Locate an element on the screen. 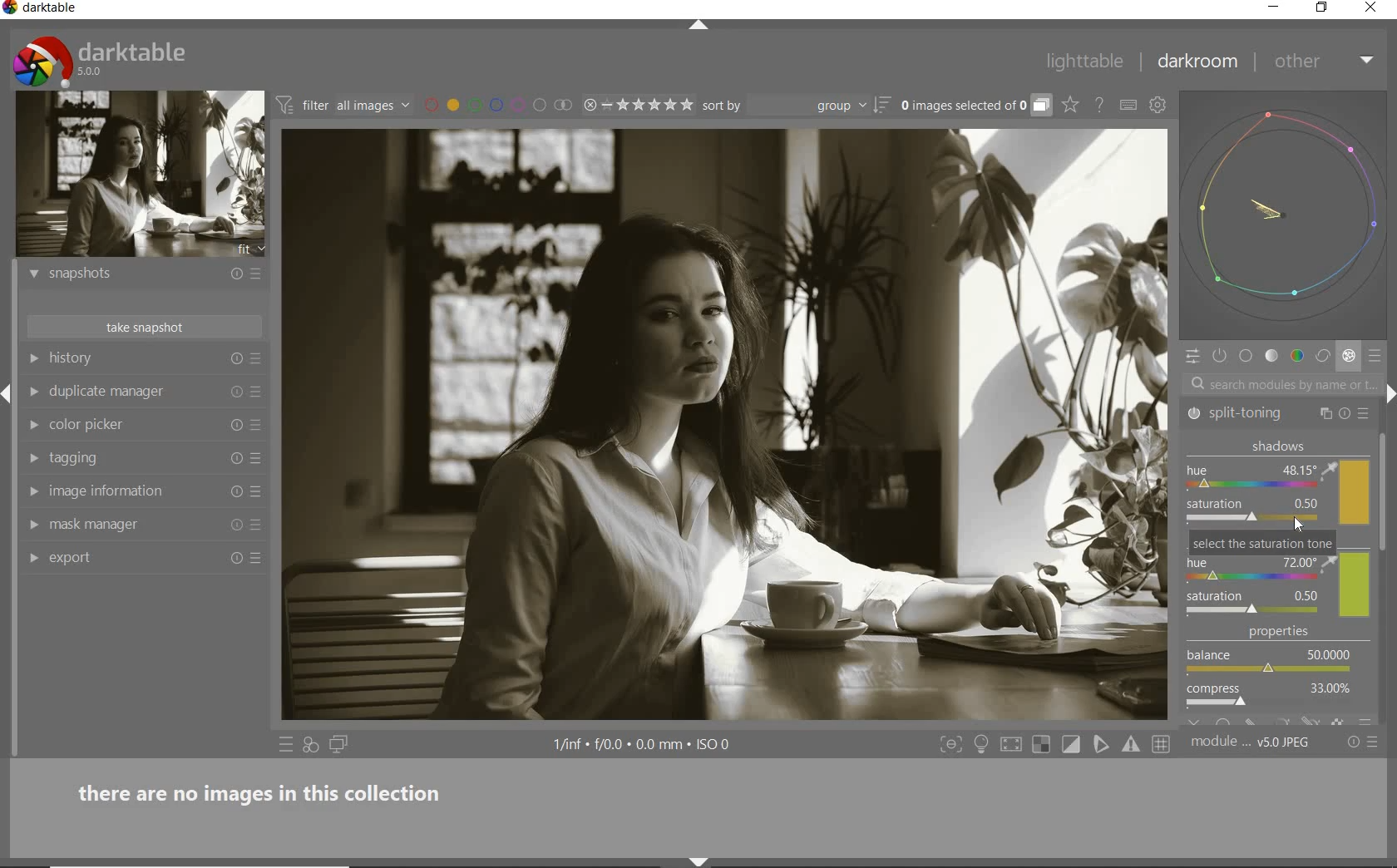 This screenshot has height=868, width=1397. show module is located at coordinates (37, 426).